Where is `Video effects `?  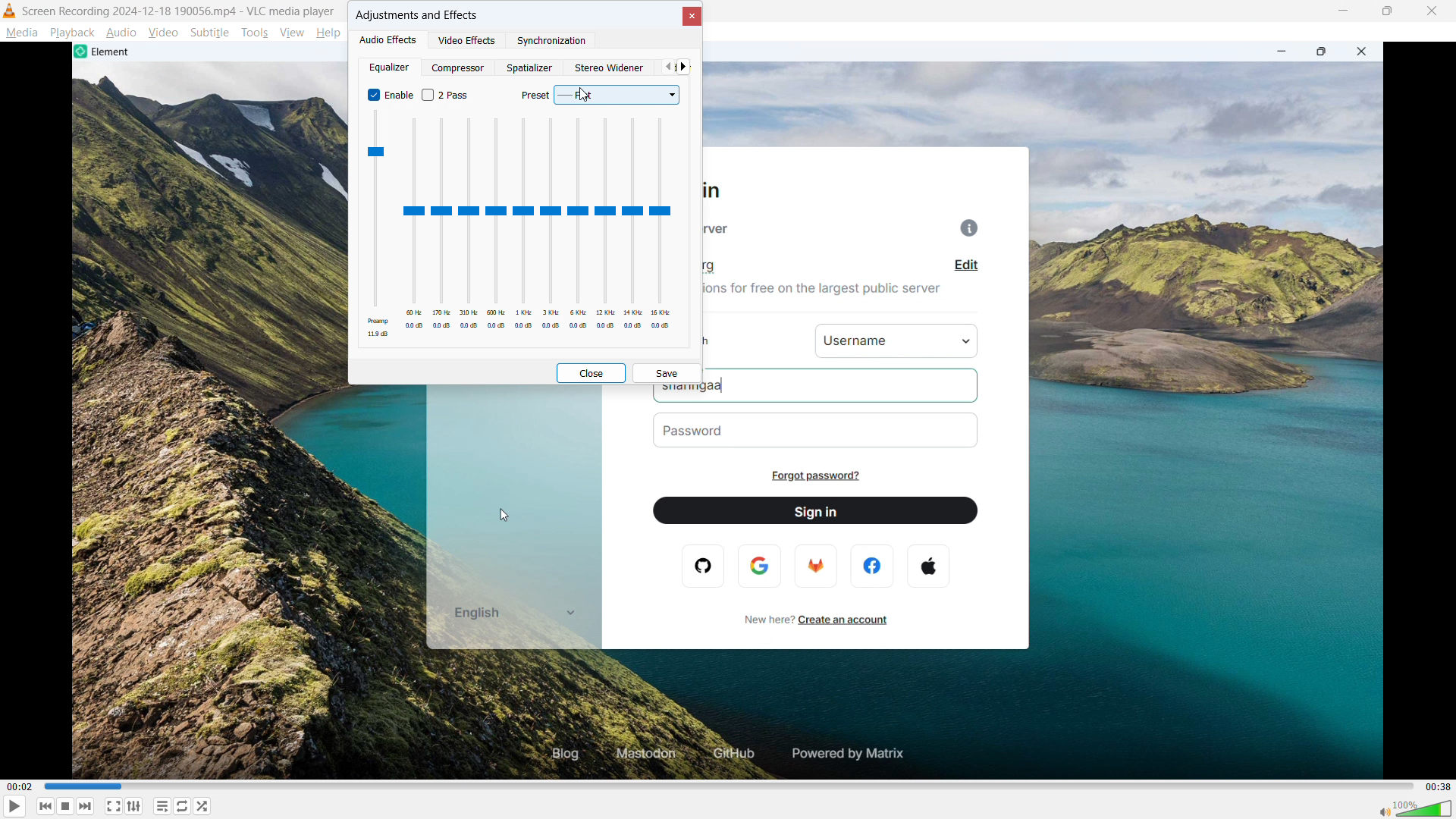 Video effects  is located at coordinates (468, 39).